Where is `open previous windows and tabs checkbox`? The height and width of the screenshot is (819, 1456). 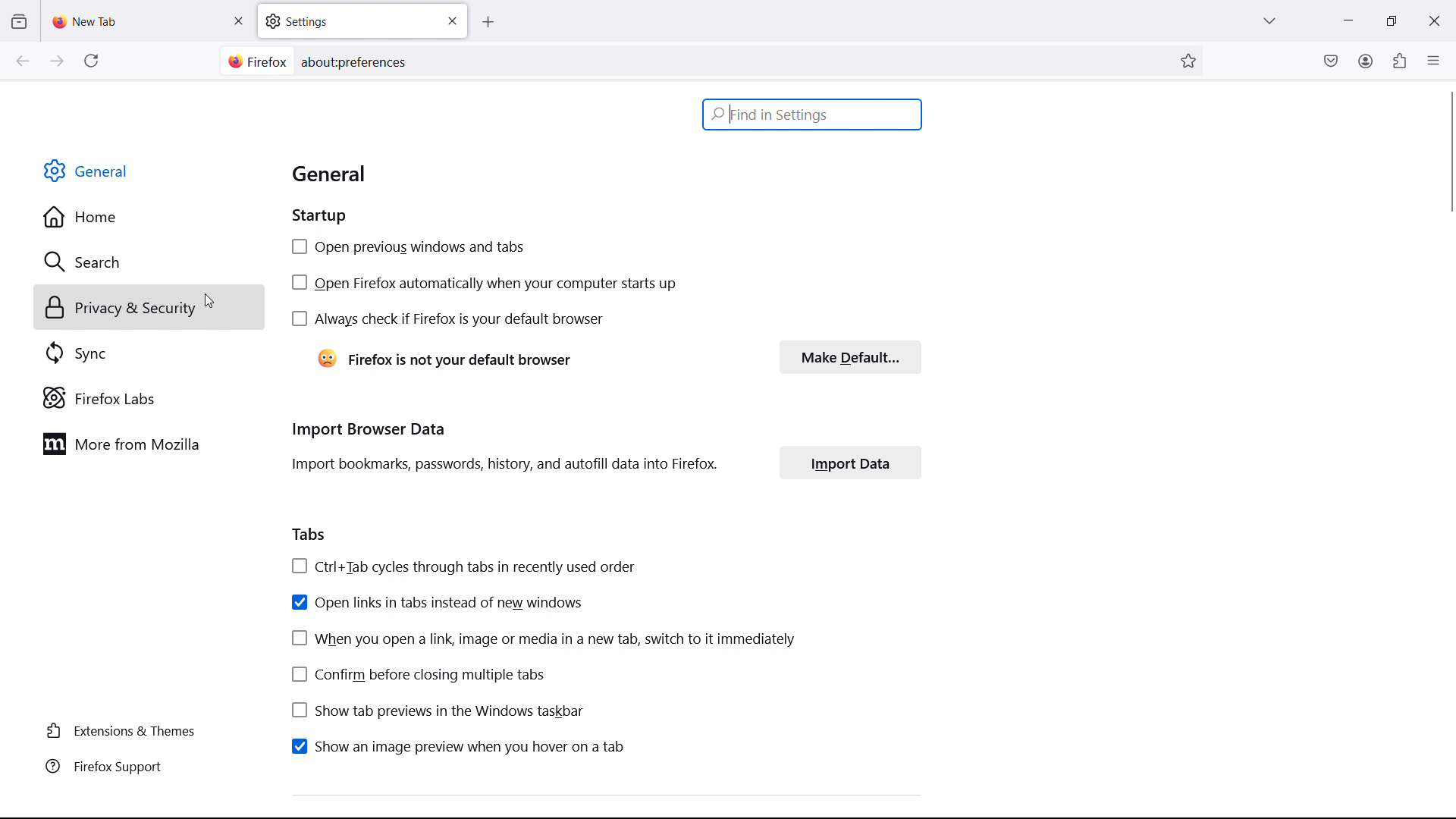 open previous windows and tabs checkbox is located at coordinates (411, 246).